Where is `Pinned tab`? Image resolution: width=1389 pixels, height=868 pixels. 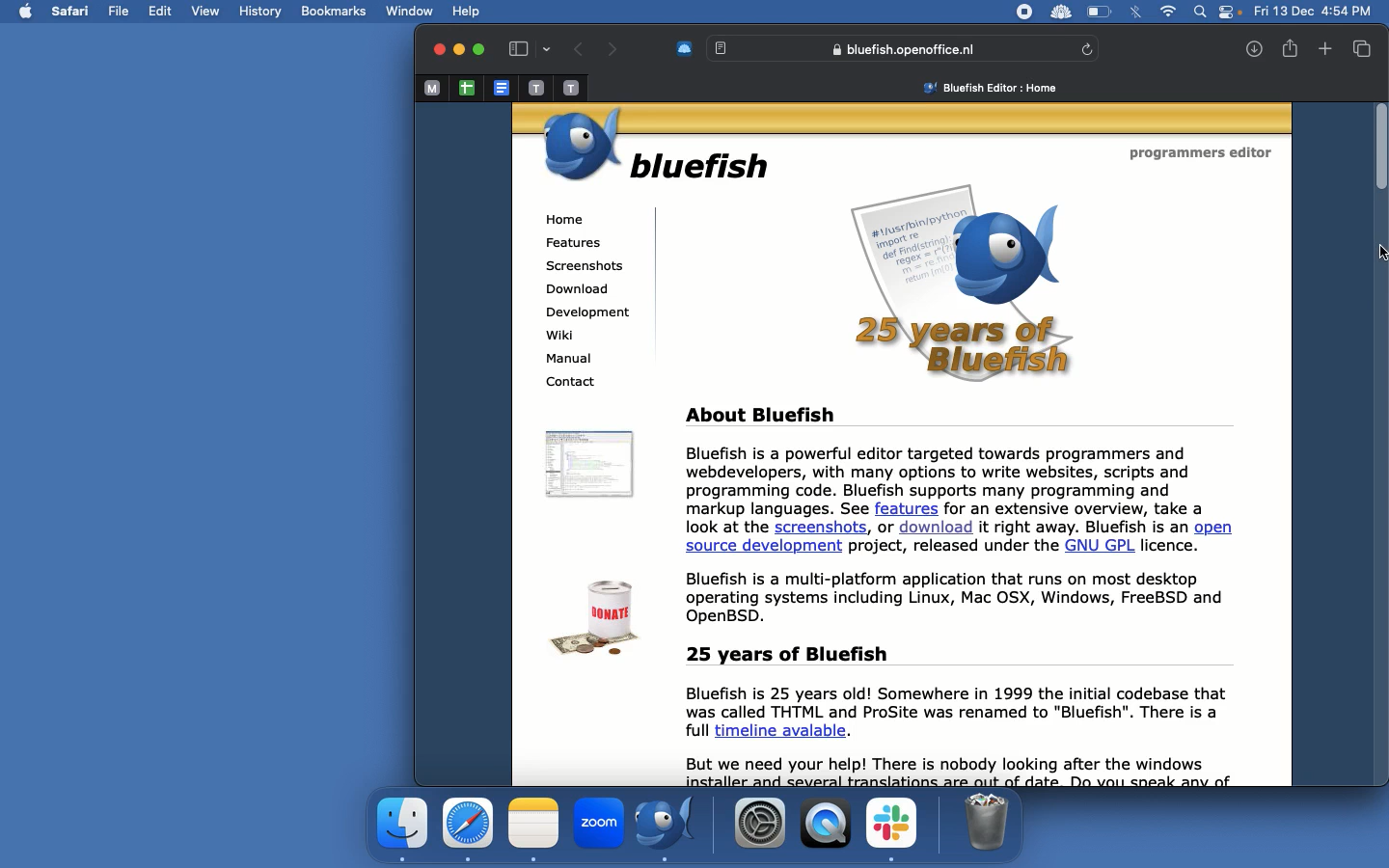
Pinned tab is located at coordinates (432, 88).